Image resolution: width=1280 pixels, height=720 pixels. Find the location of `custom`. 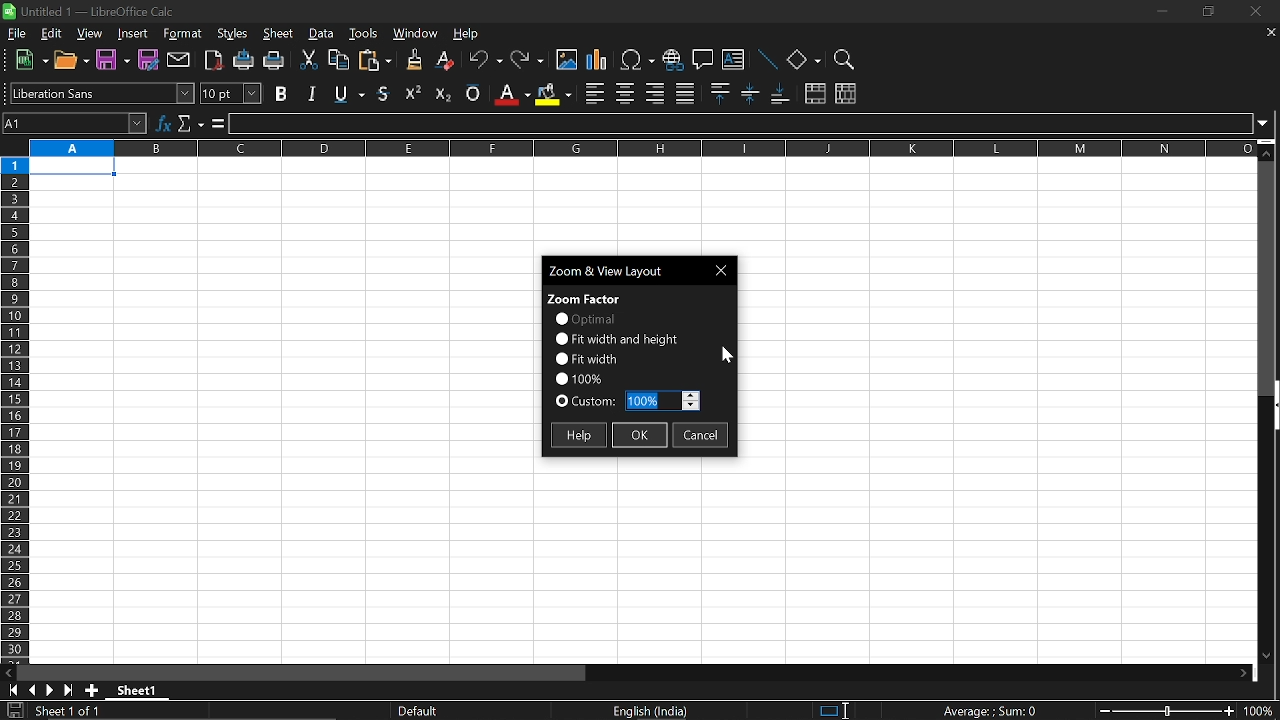

custom is located at coordinates (586, 403).